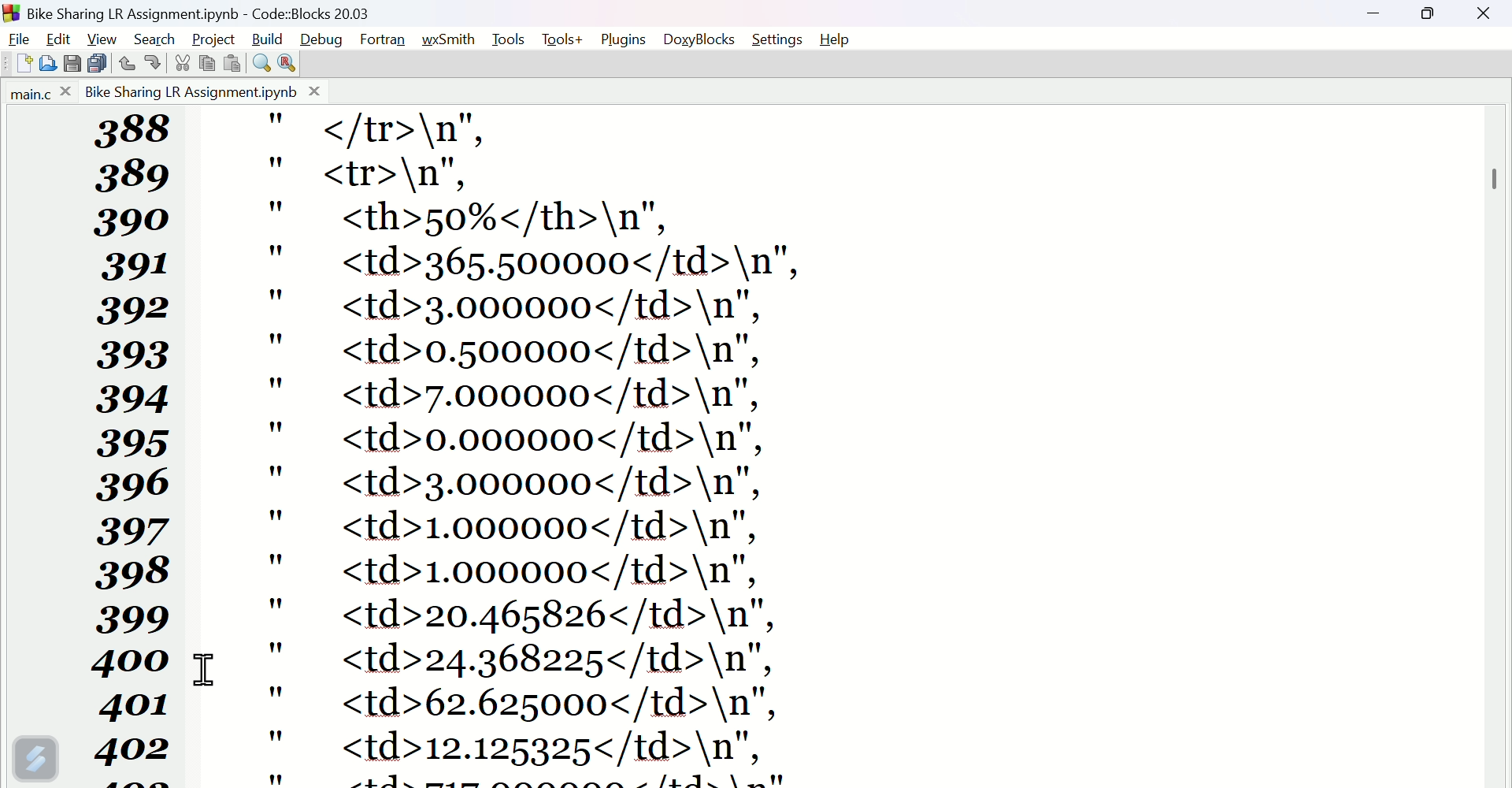  What do you see at coordinates (386, 40) in the screenshot?
I see `Fortran` at bounding box center [386, 40].